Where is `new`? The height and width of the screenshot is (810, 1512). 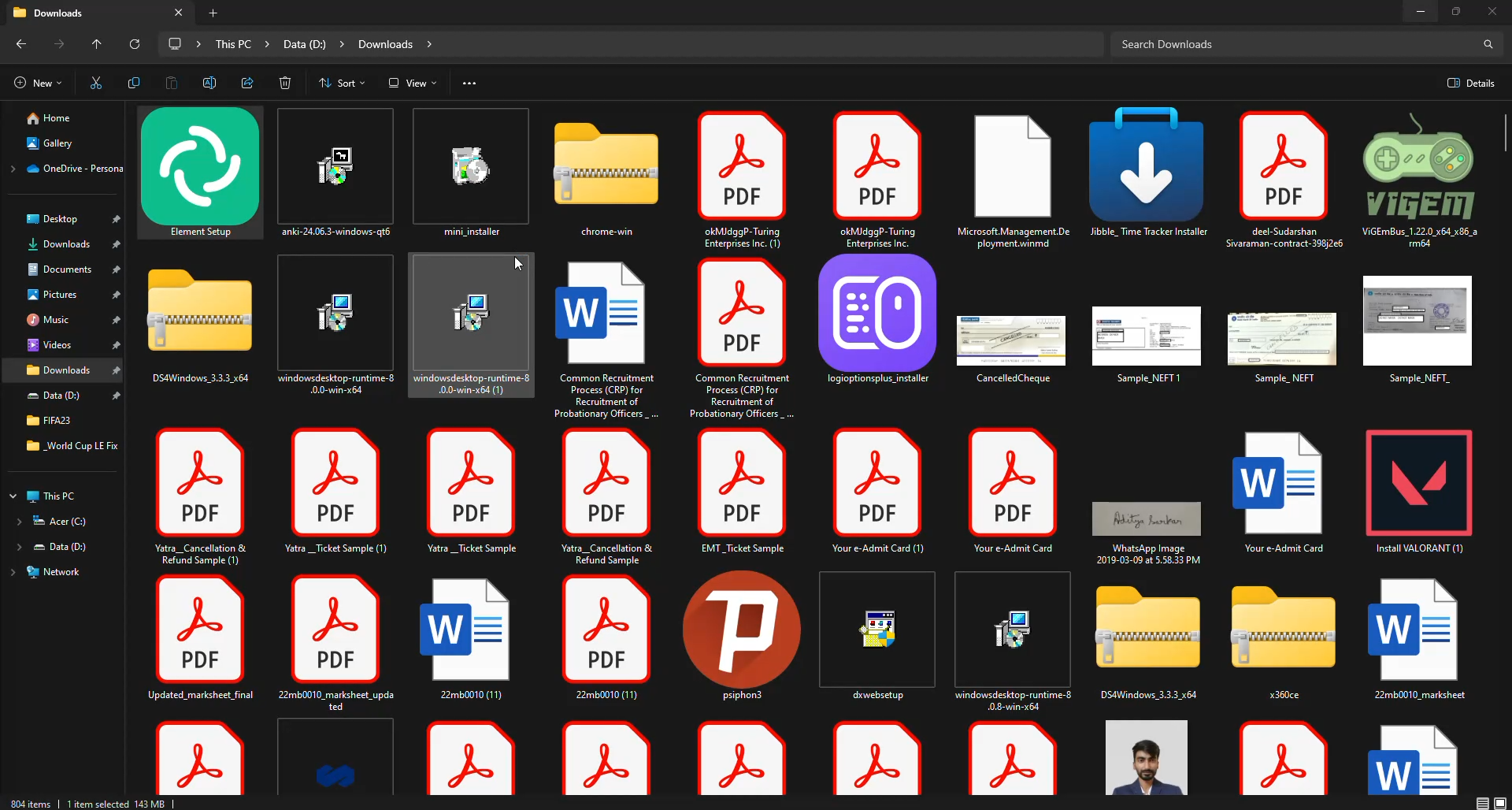
new is located at coordinates (35, 82).